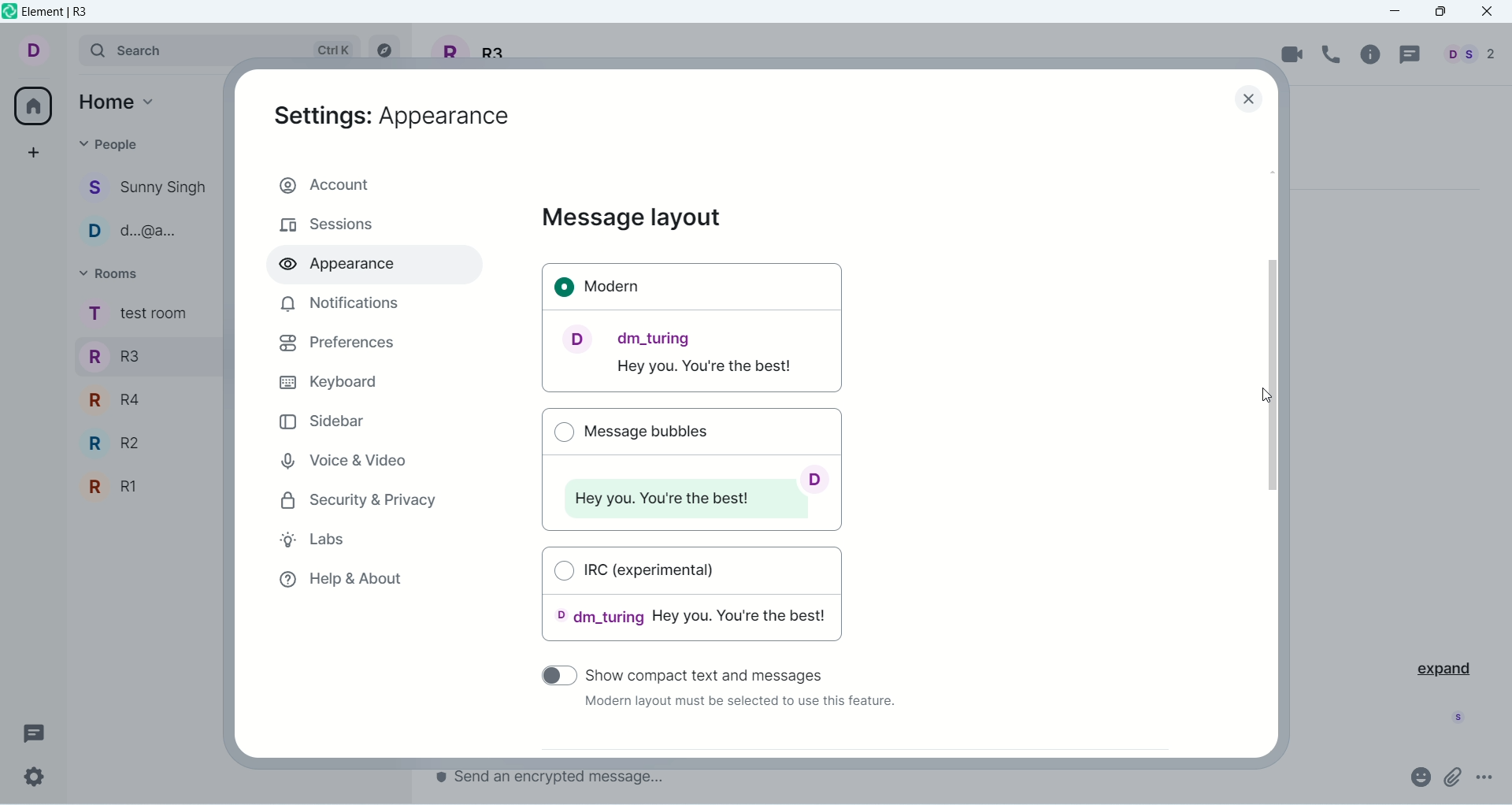 The width and height of the screenshot is (1512, 805). I want to click on logo, so click(9, 14).